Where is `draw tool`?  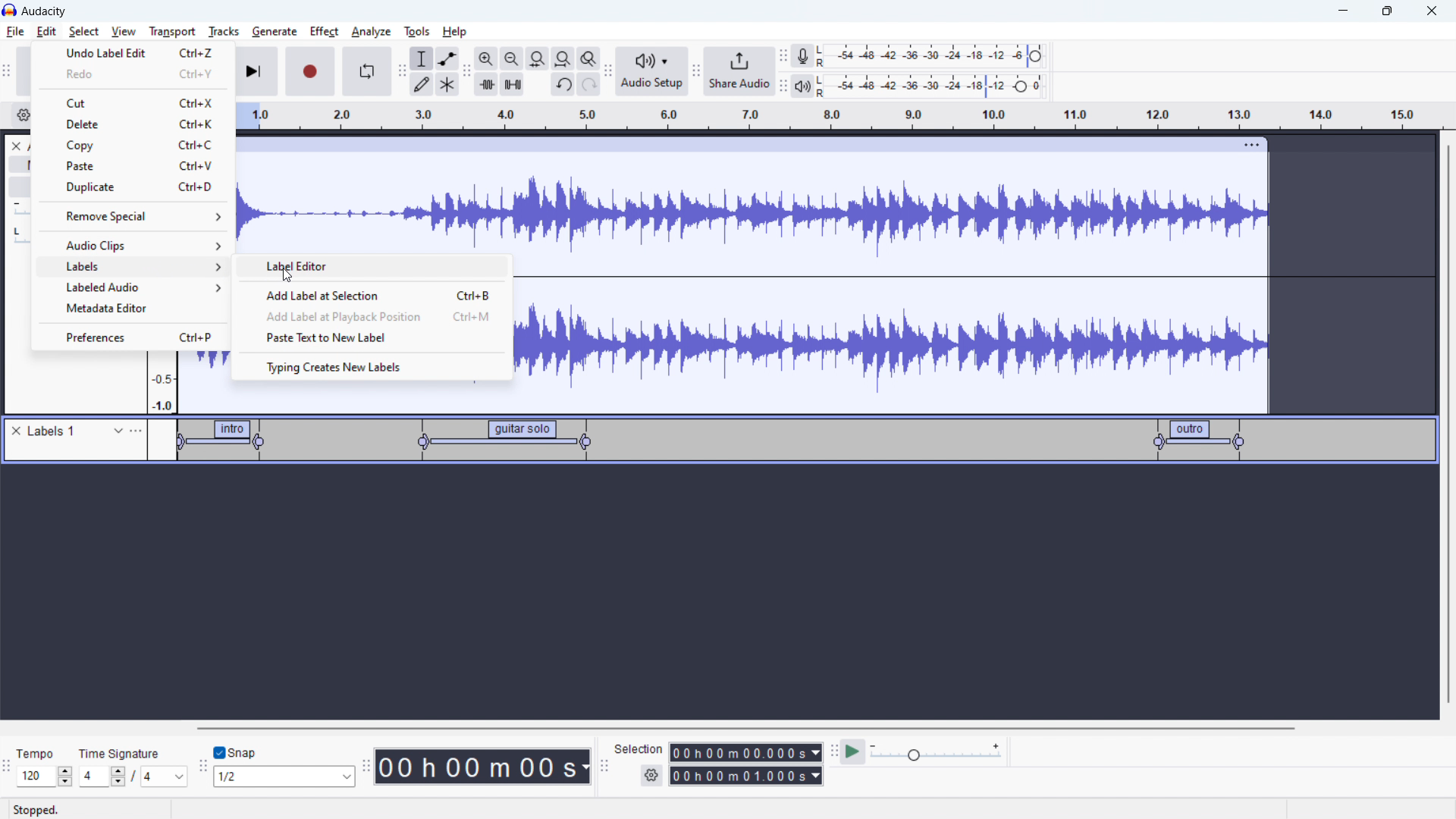 draw tool is located at coordinates (422, 83).